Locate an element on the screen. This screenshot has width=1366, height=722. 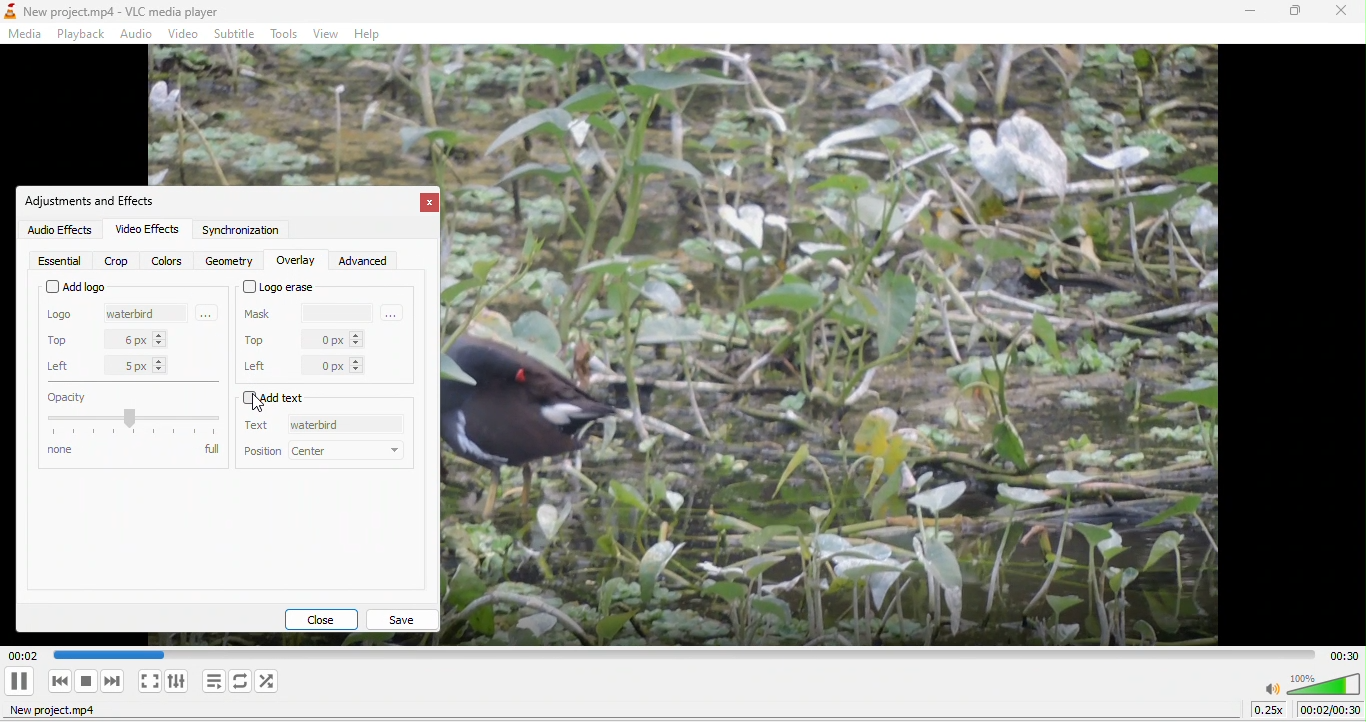
text is located at coordinates (262, 425).